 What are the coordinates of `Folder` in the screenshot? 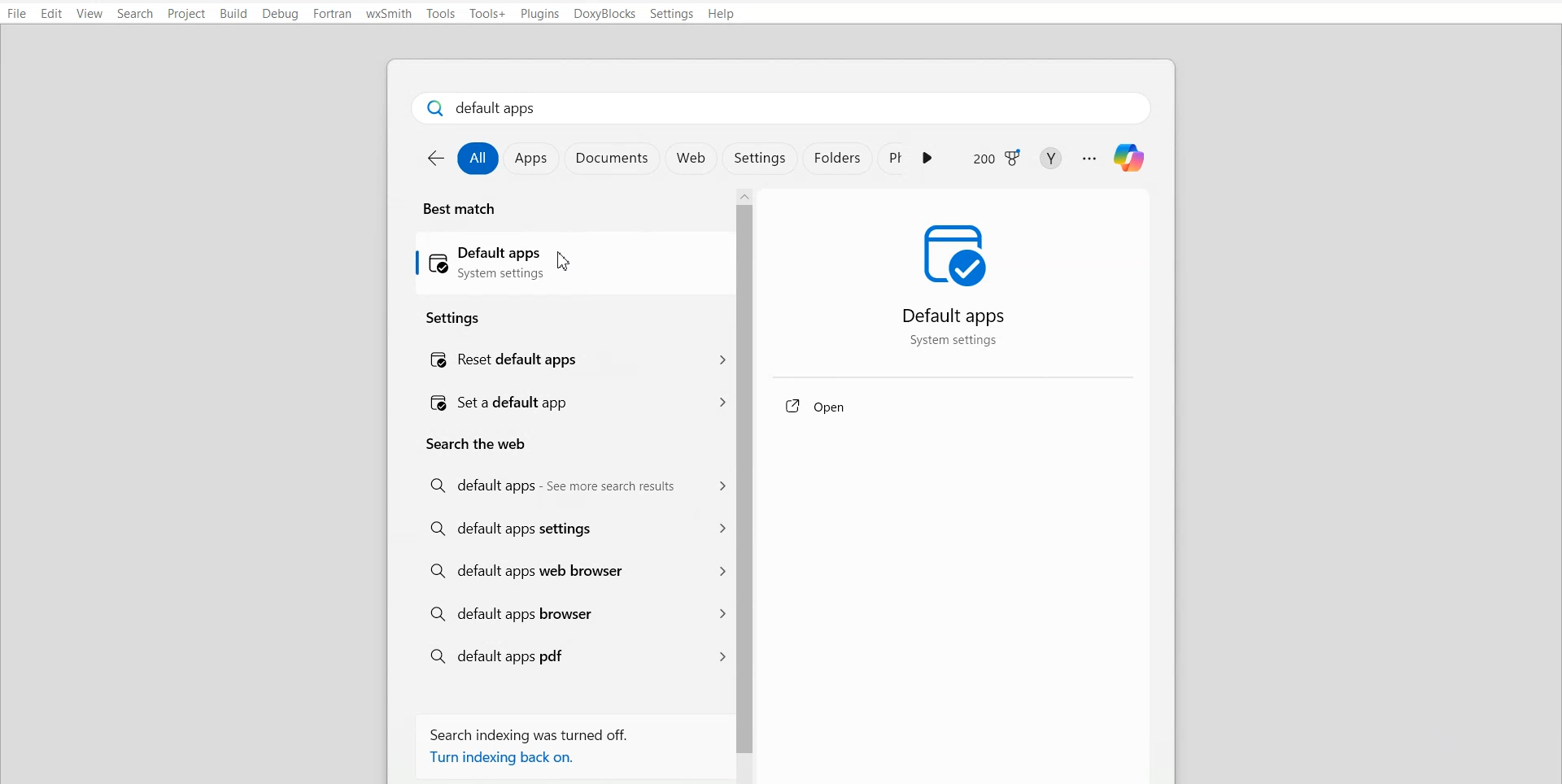 It's located at (834, 159).